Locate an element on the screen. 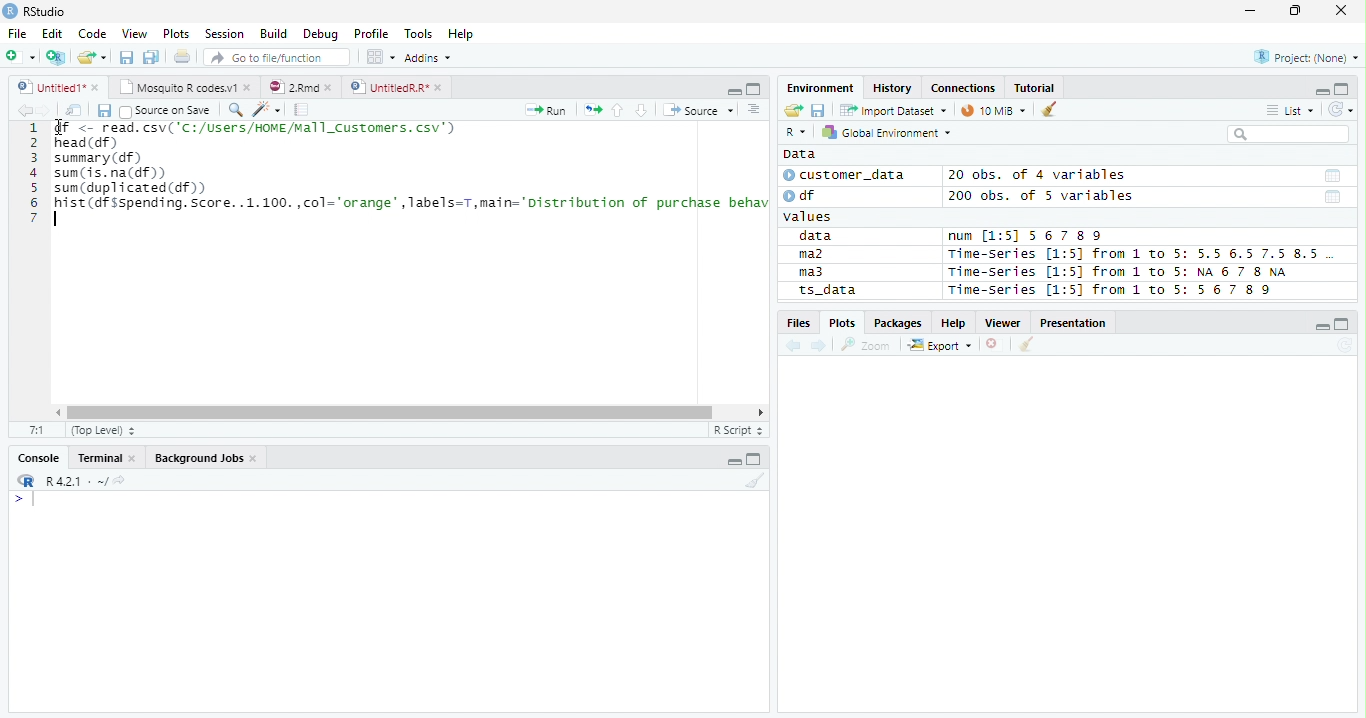  Minimize is located at coordinates (1323, 328).